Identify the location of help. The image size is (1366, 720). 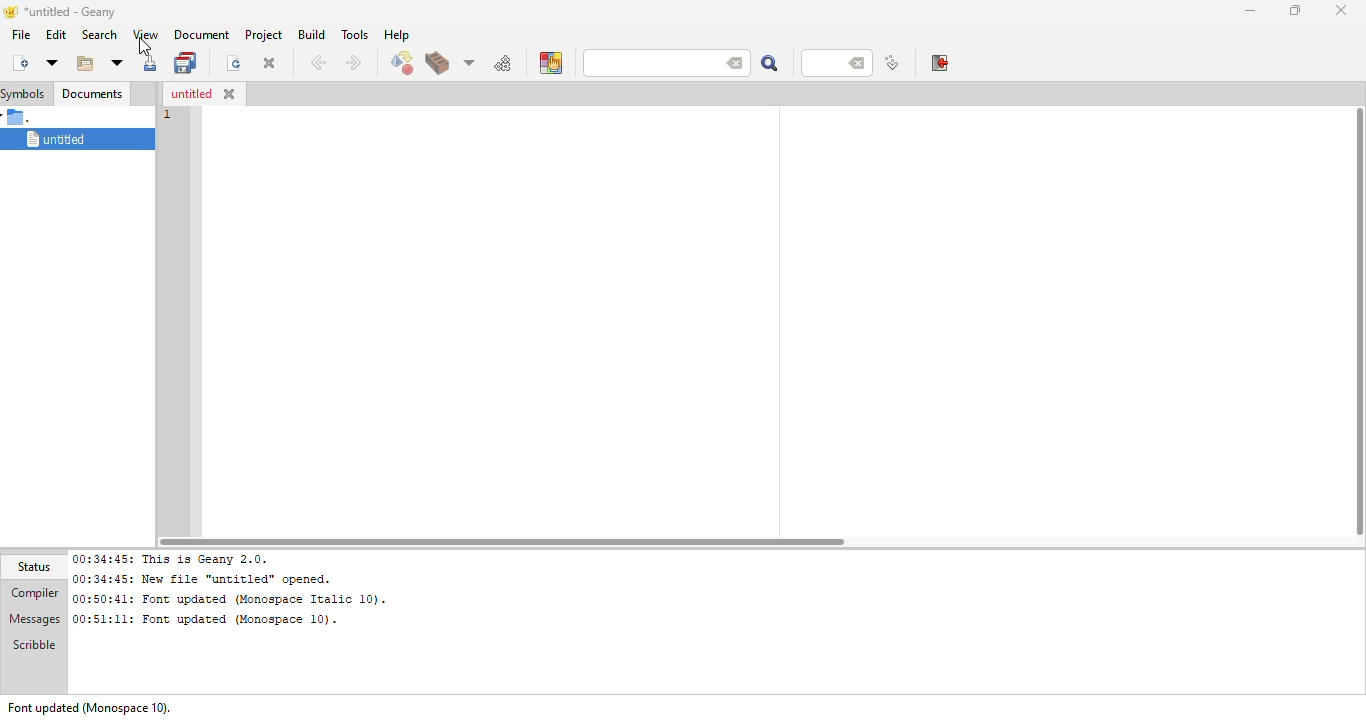
(395, 35).